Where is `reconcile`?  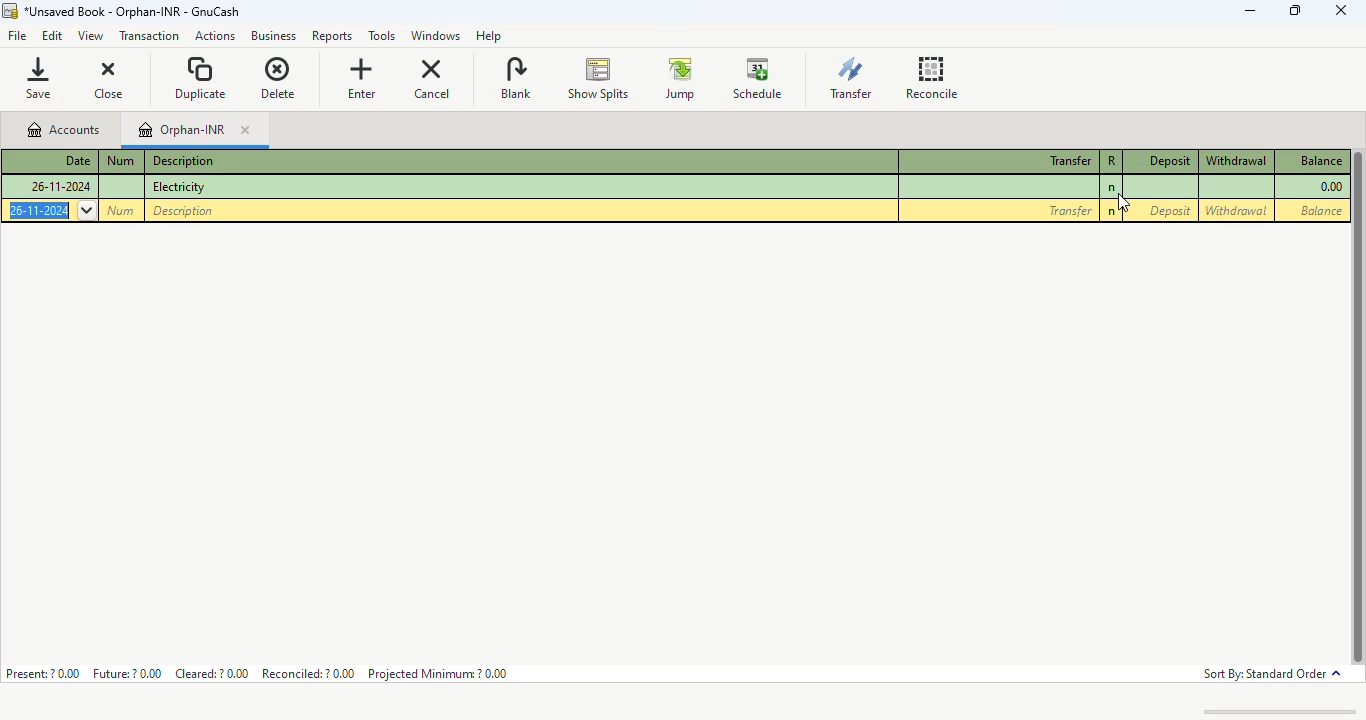 reconcile is located at coordinates (932, 77).